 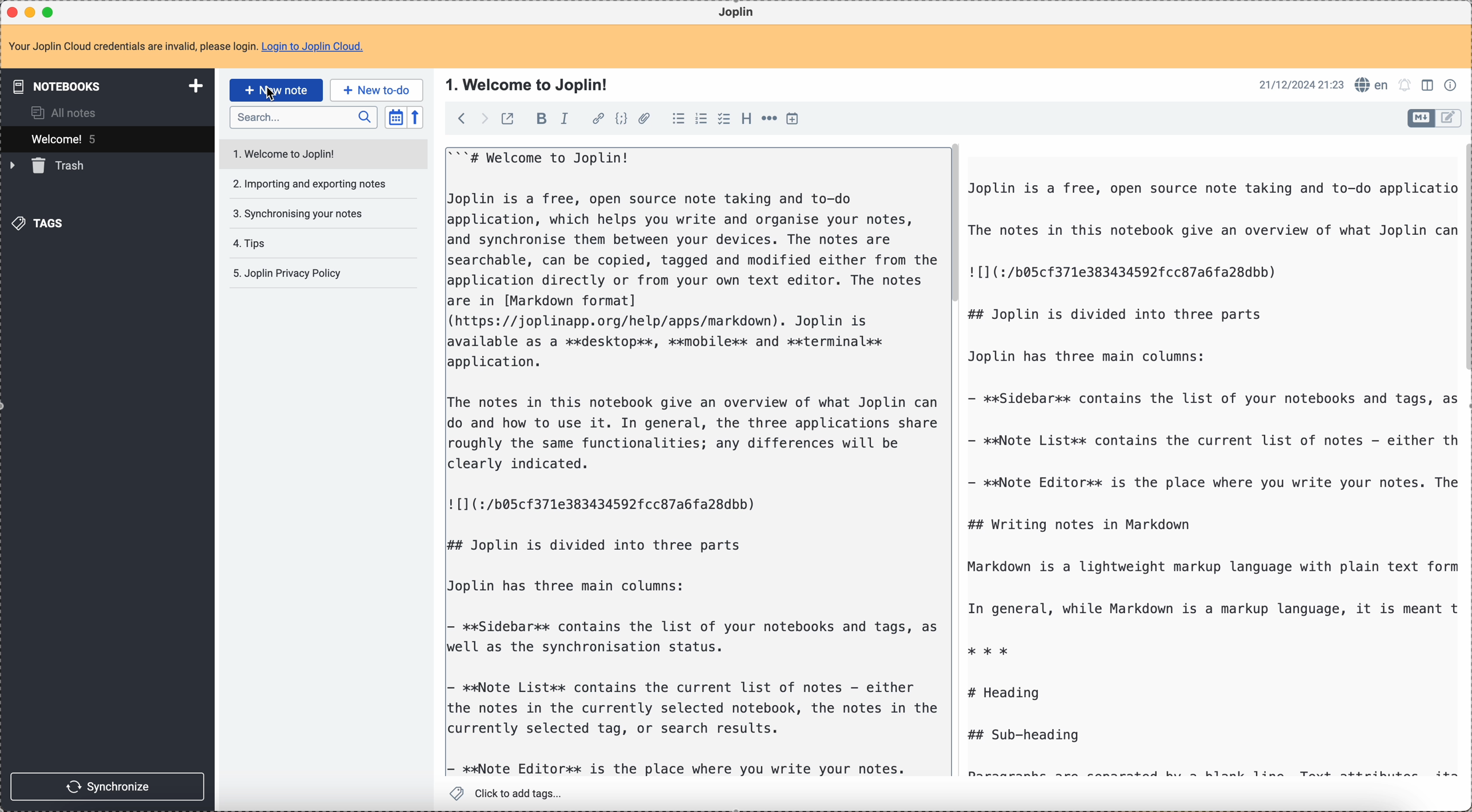 I want to click on set notifications, so click(x=1406, y=86).